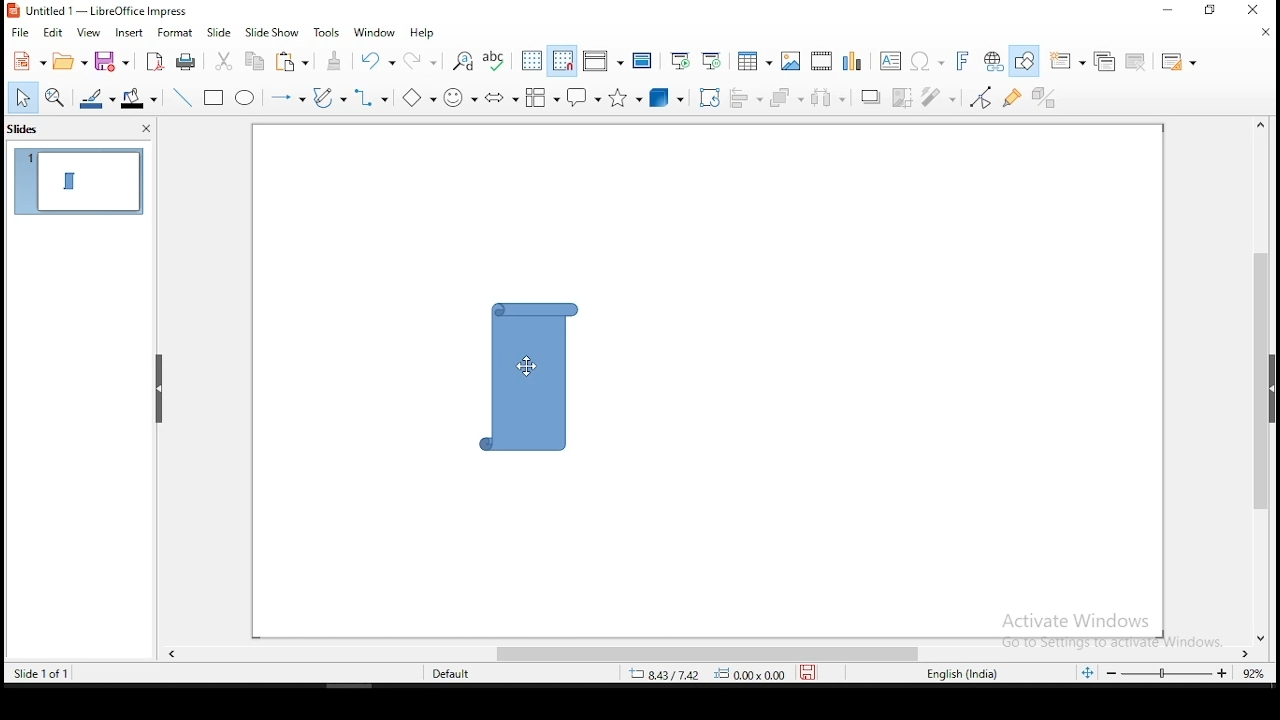 Image resolution: width=1280 pixels, height=720 pixels. Describe the element at coordinates (528, 365) in the screenshot. I see `mouse pointer` at that location.